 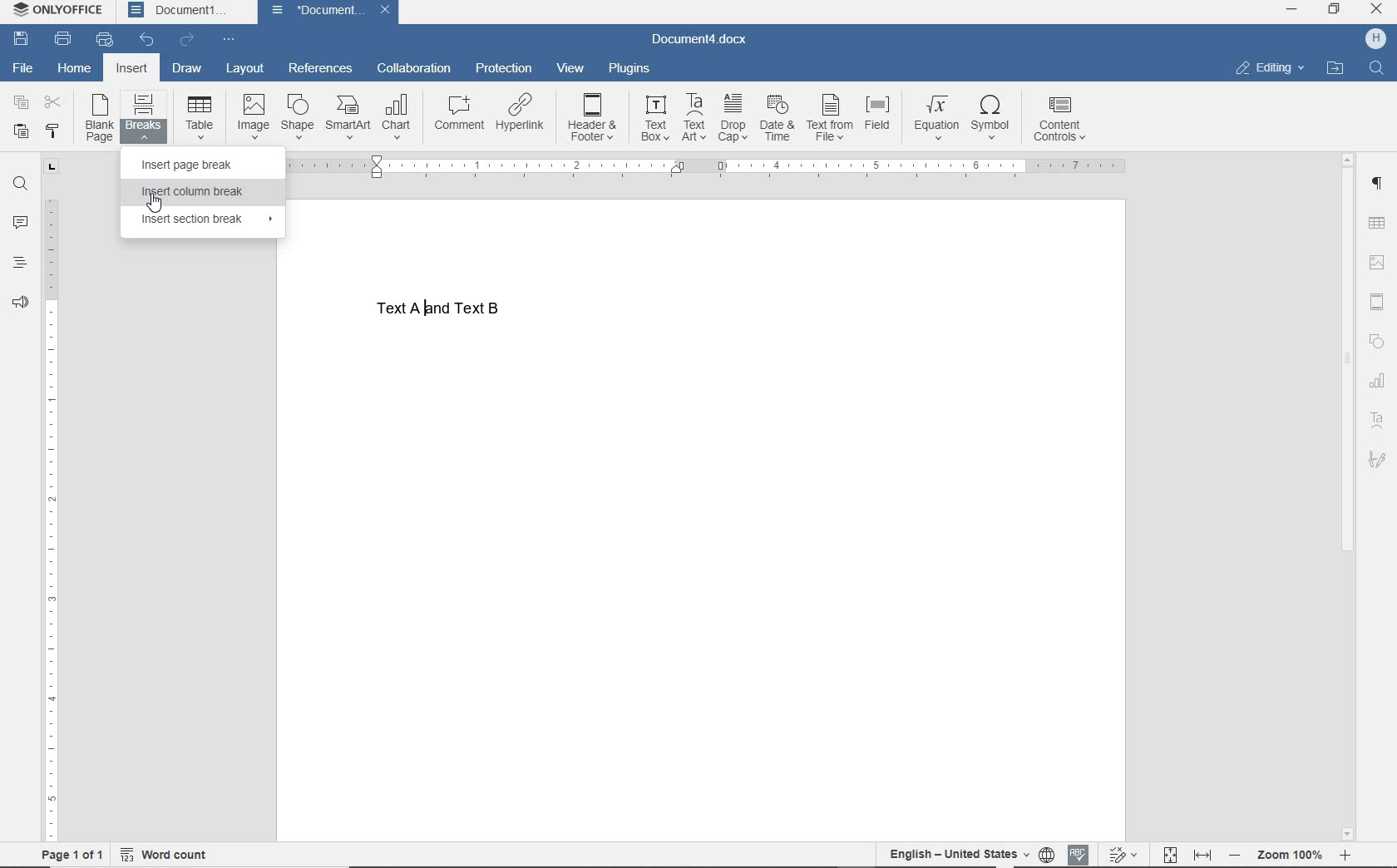 I want to click on FIT TO WIDTH, so click(x=1204, y=853).